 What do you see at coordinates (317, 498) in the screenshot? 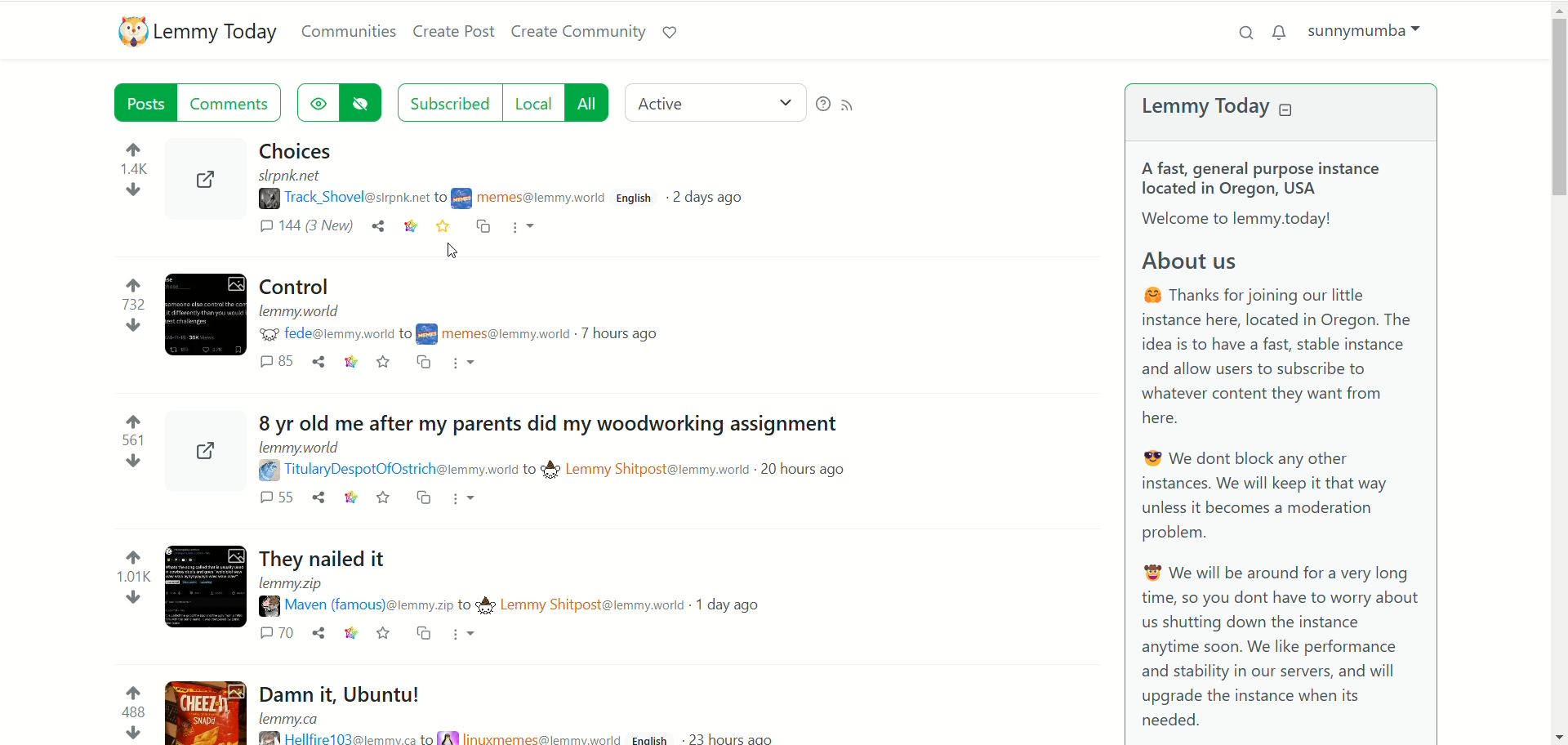
I see `share` at bounding box center [317, 498].